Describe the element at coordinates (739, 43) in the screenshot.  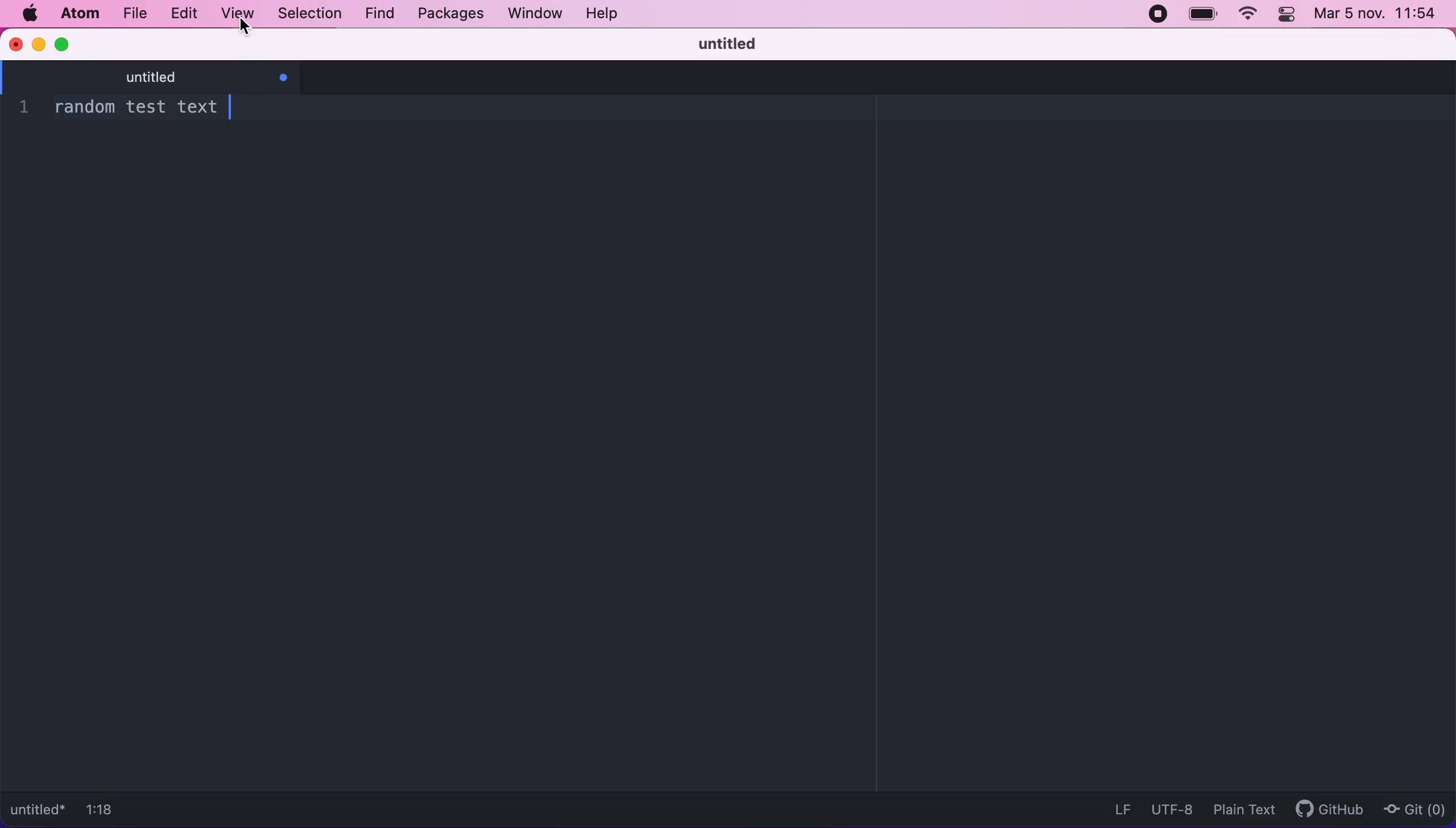
I see `untitled` at that location.